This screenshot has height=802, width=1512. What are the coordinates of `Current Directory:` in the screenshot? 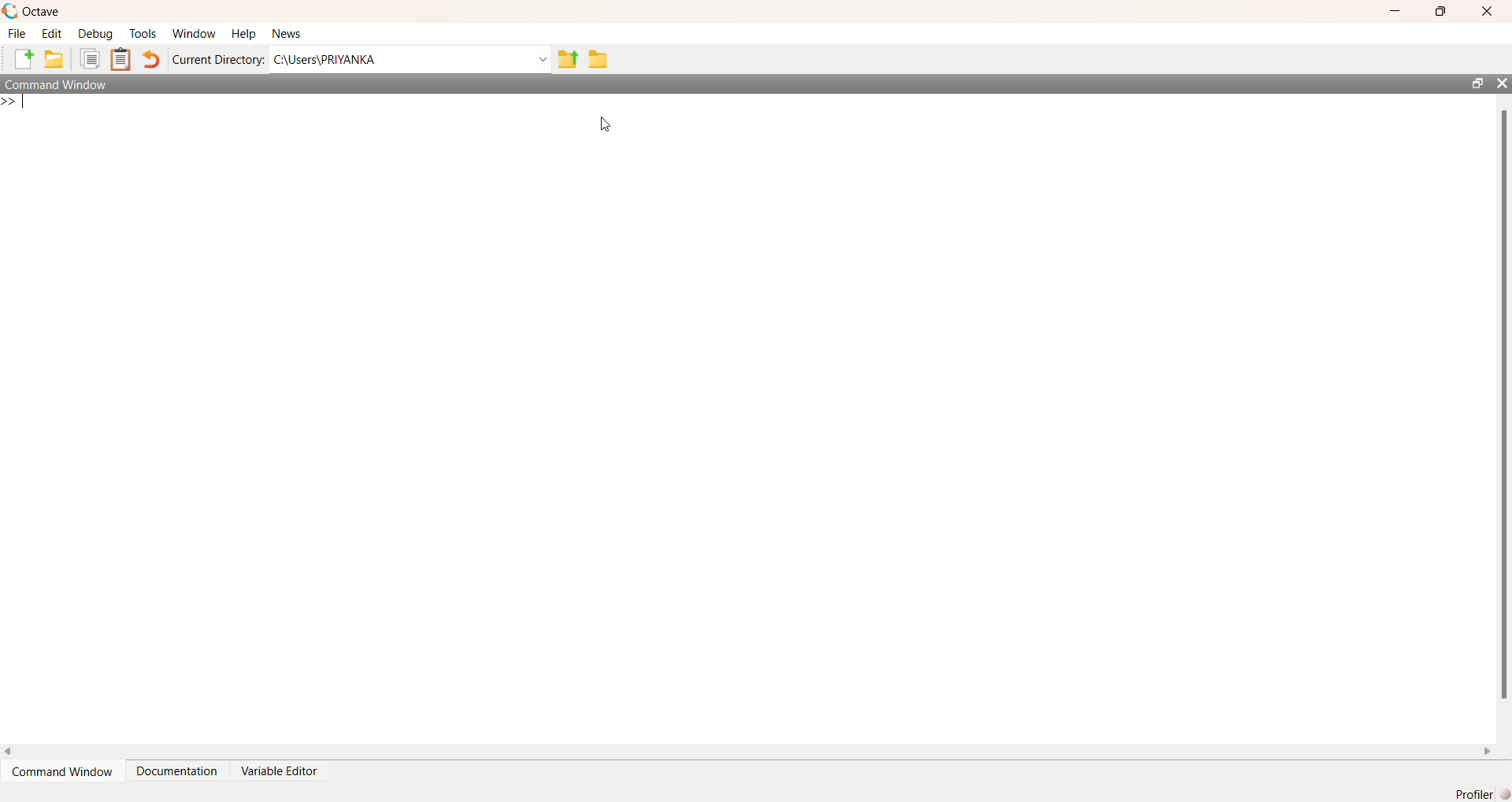 It's located at (218, 60).